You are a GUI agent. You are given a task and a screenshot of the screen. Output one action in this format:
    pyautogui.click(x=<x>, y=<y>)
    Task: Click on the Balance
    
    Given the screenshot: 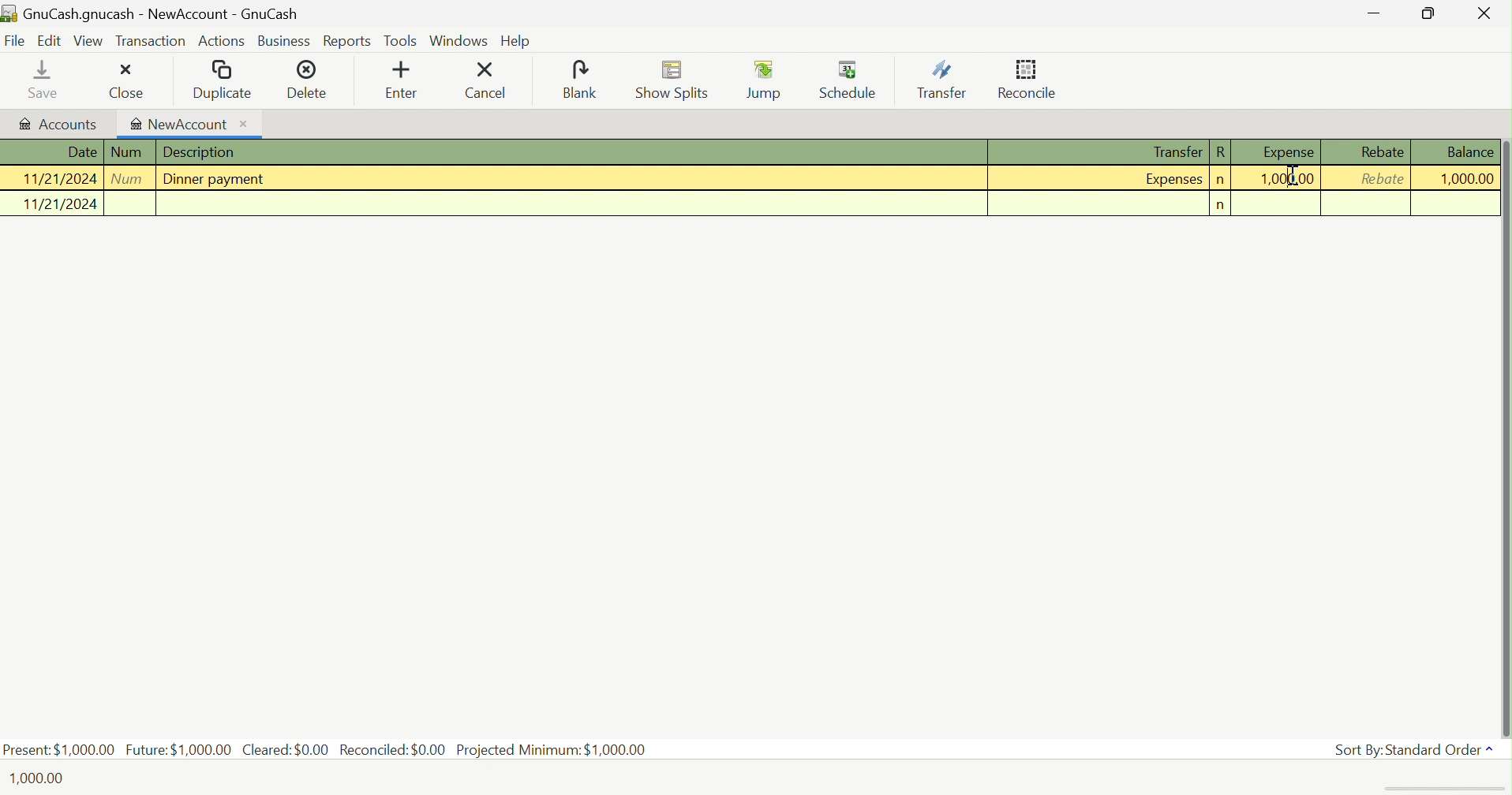 What is the action you would take?
    pyautogui.click(x=1470, y=153)
    